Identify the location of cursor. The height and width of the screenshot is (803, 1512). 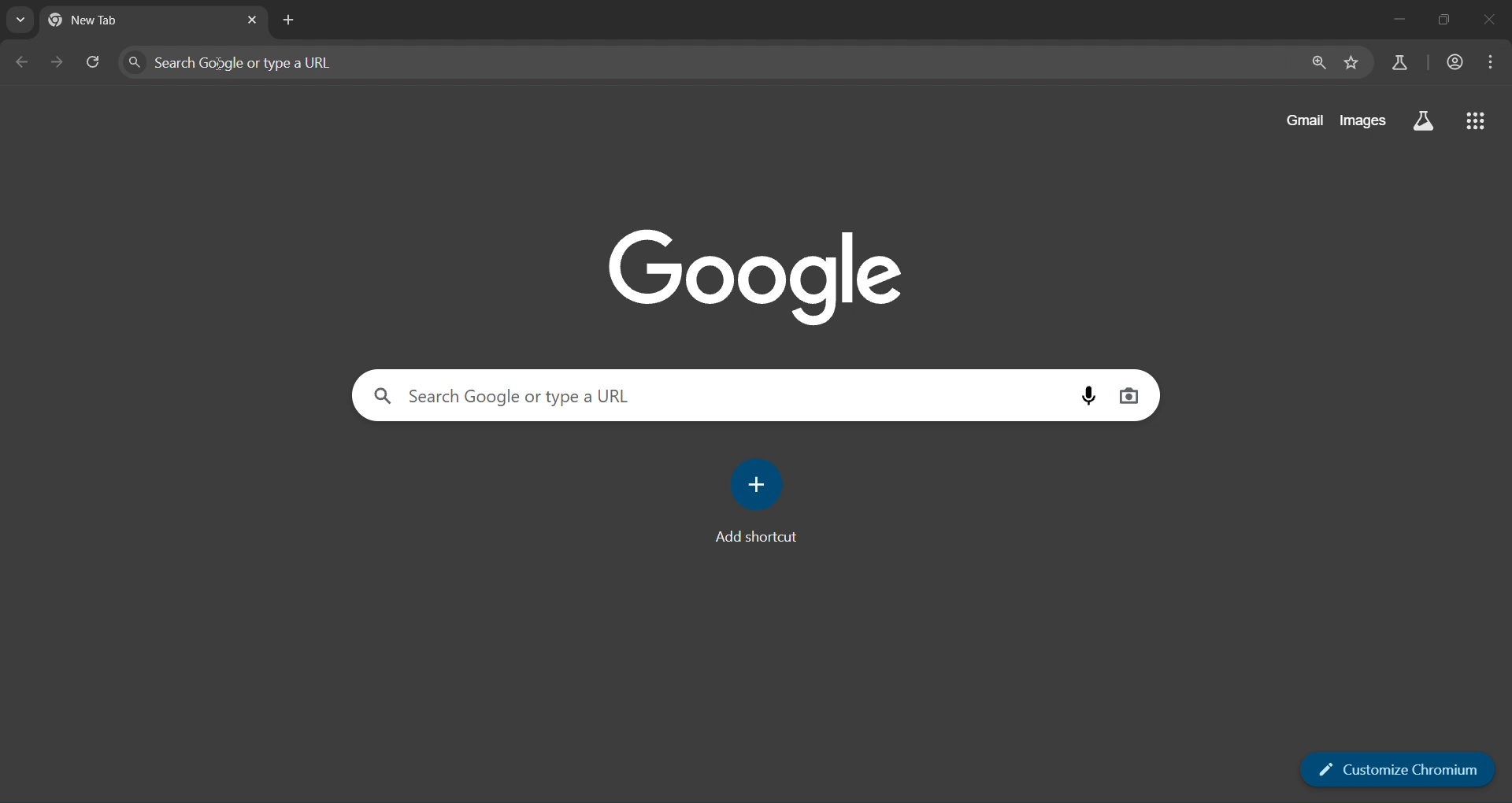
(221, 65).